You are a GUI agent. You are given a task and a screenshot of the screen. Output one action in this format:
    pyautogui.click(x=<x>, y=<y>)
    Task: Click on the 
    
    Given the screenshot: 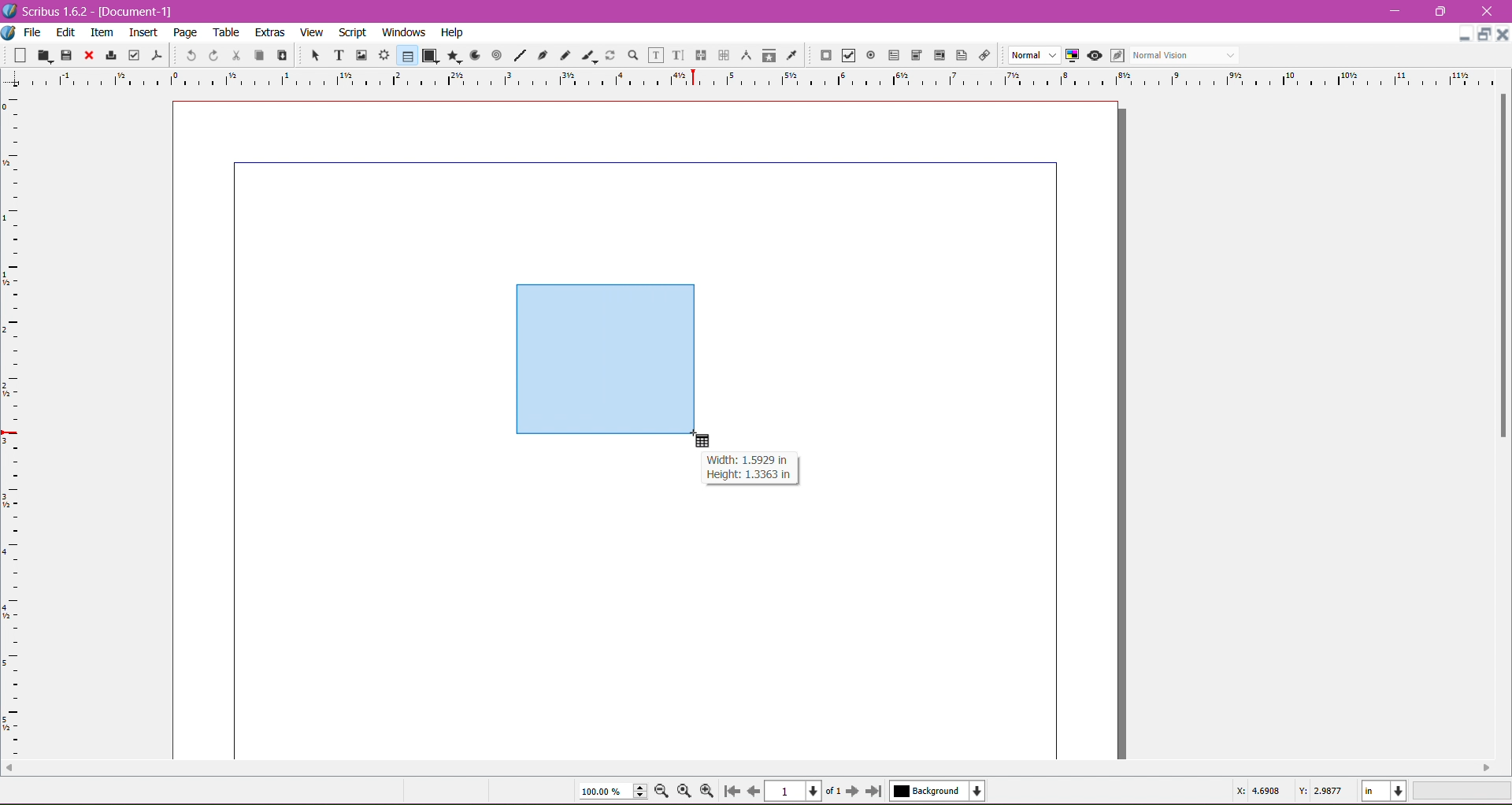 What is the action you would take?
    pyautogui.click(x=352, y=32)
    